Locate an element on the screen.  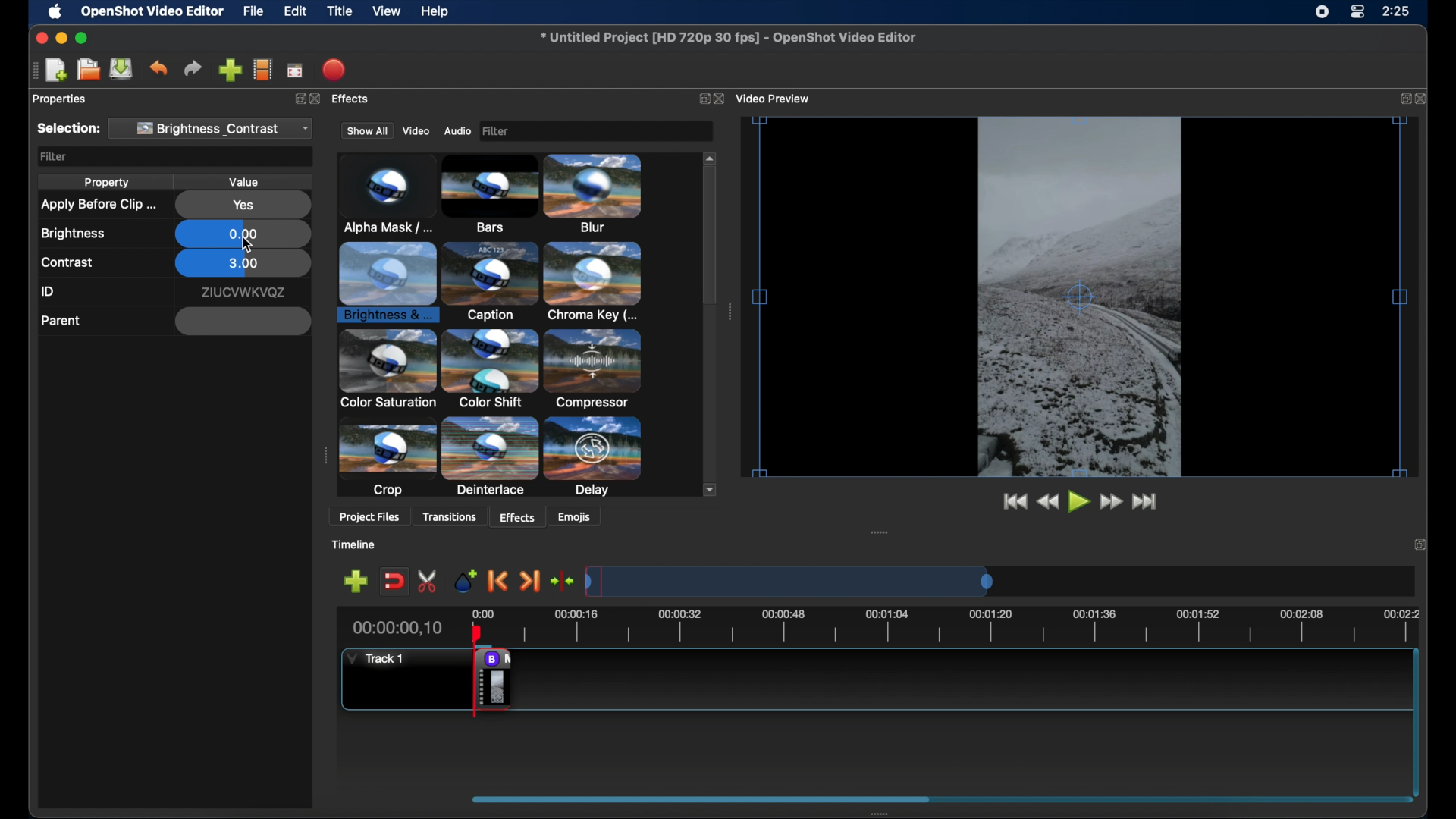
next marker is located at coordinates (532, 581).